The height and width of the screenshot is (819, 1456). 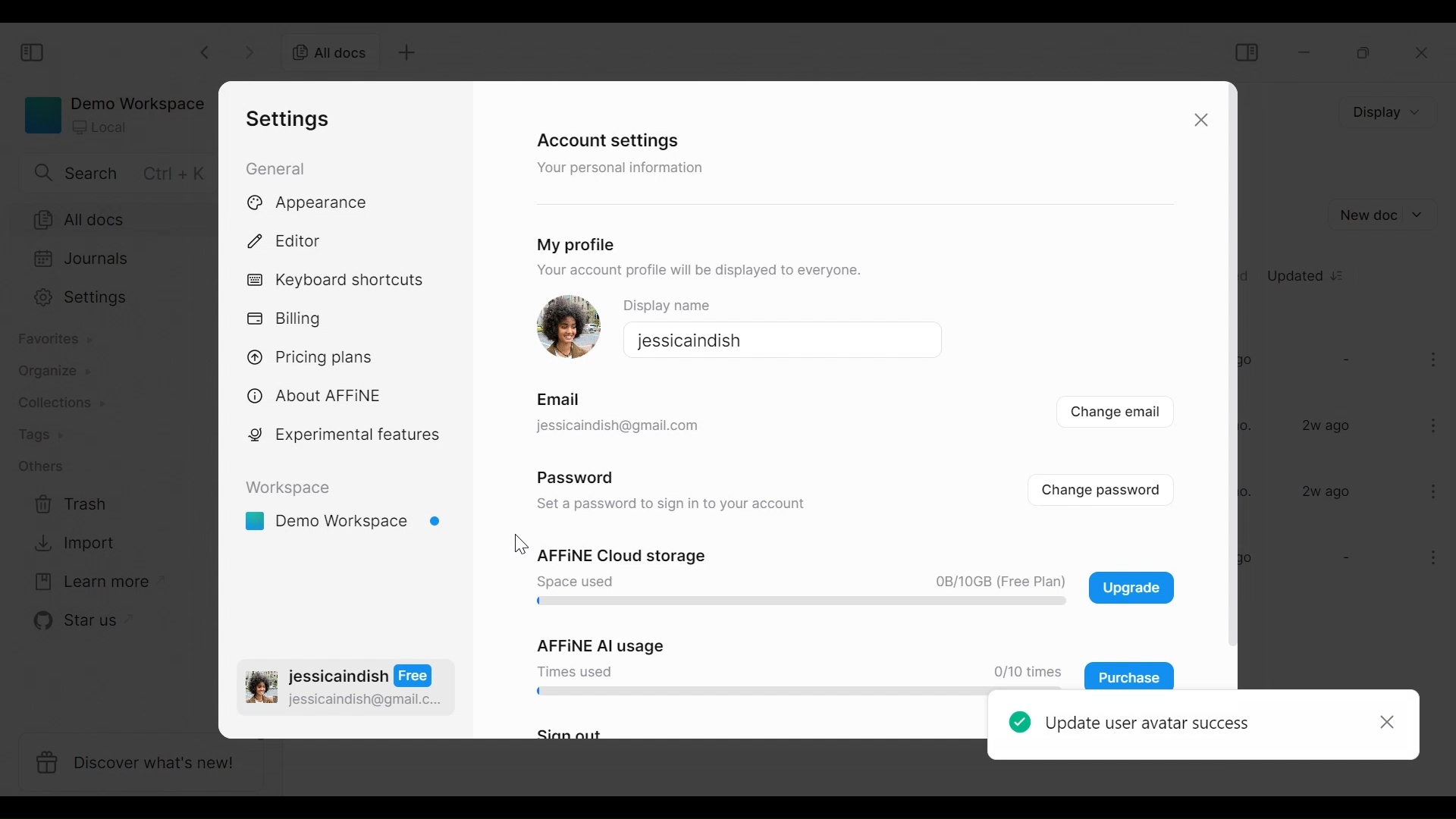 What do you see at coordinates (521, 542) in the screenshot?
I see `cursor` at bounding box center [521, 542].